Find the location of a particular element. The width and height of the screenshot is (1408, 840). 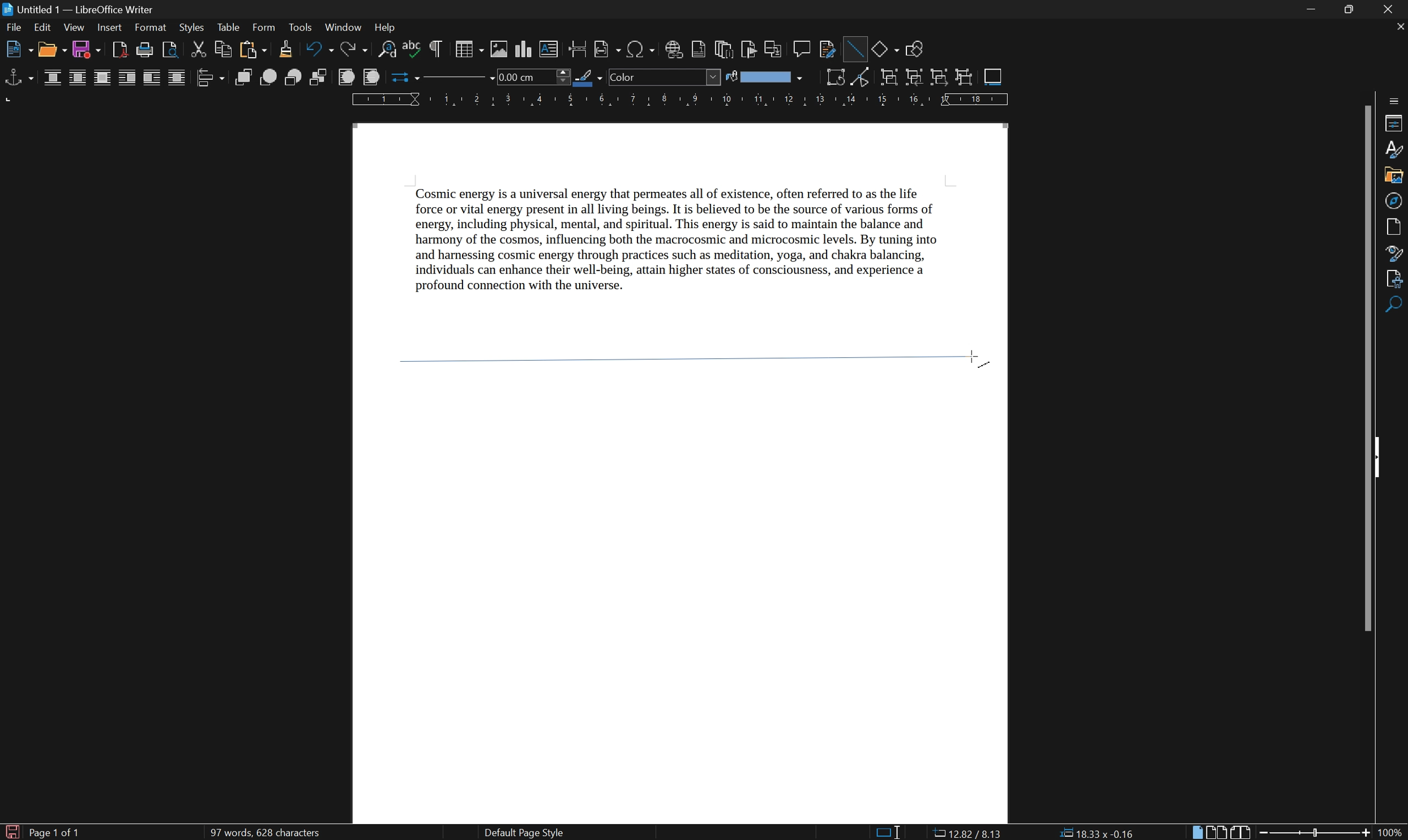

open is located at coordinates (53, 50).